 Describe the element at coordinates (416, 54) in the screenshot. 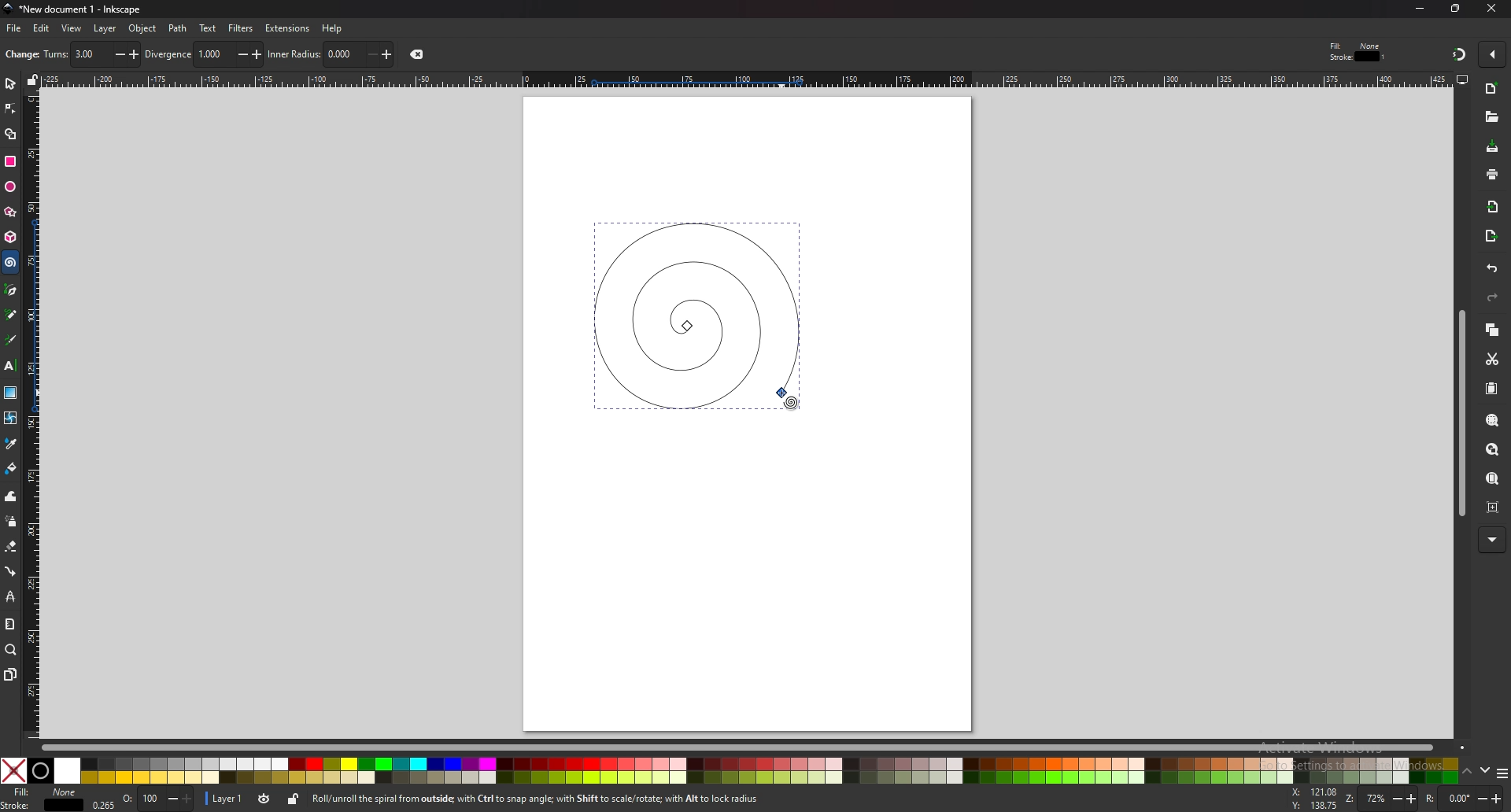

I see `close` at that location.